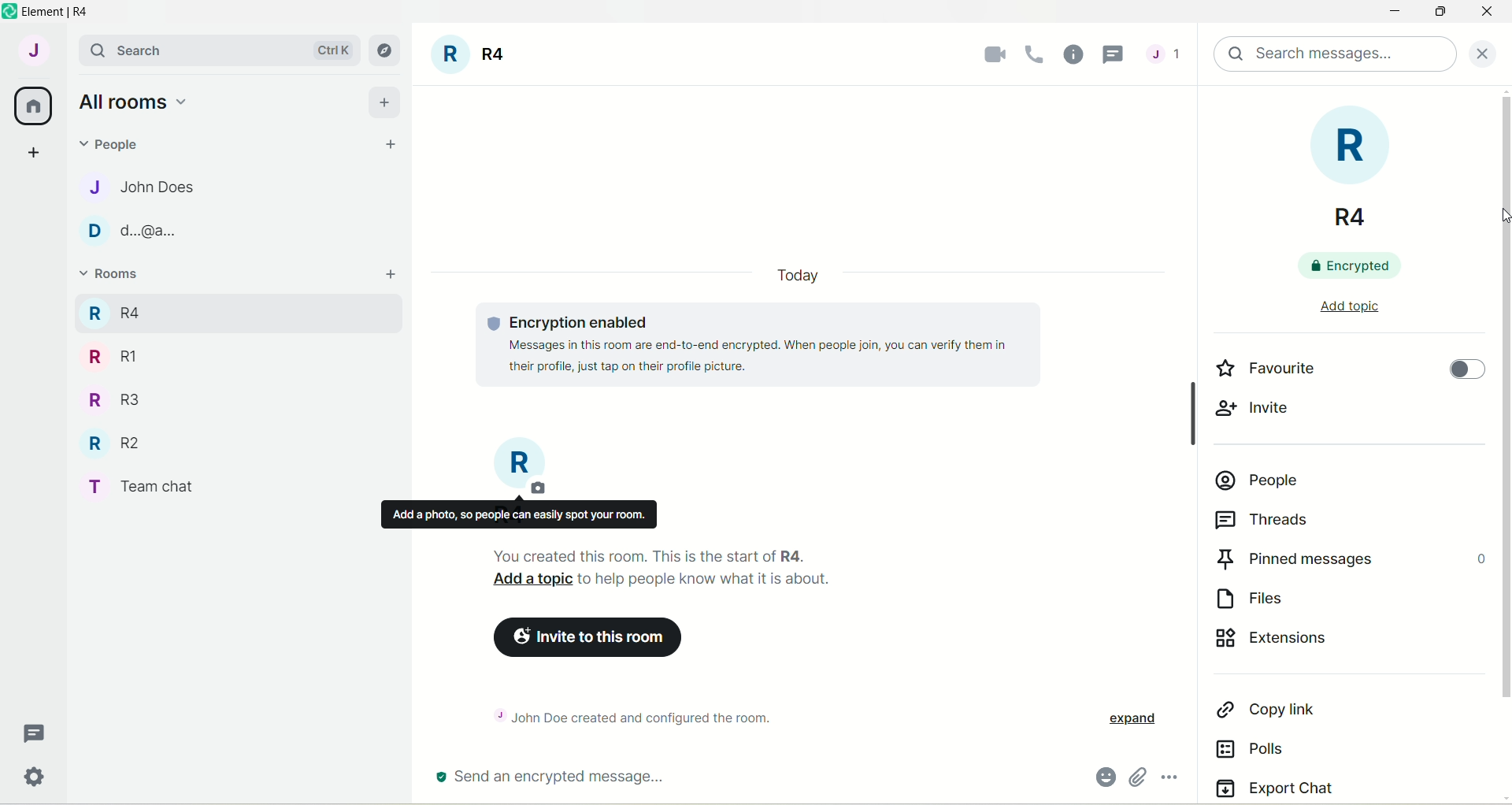 This screenshot has height=805, width=1512. Describe the element at coordinates (1189, 410) in the screenshot. I see `Scrollbar` at that location.